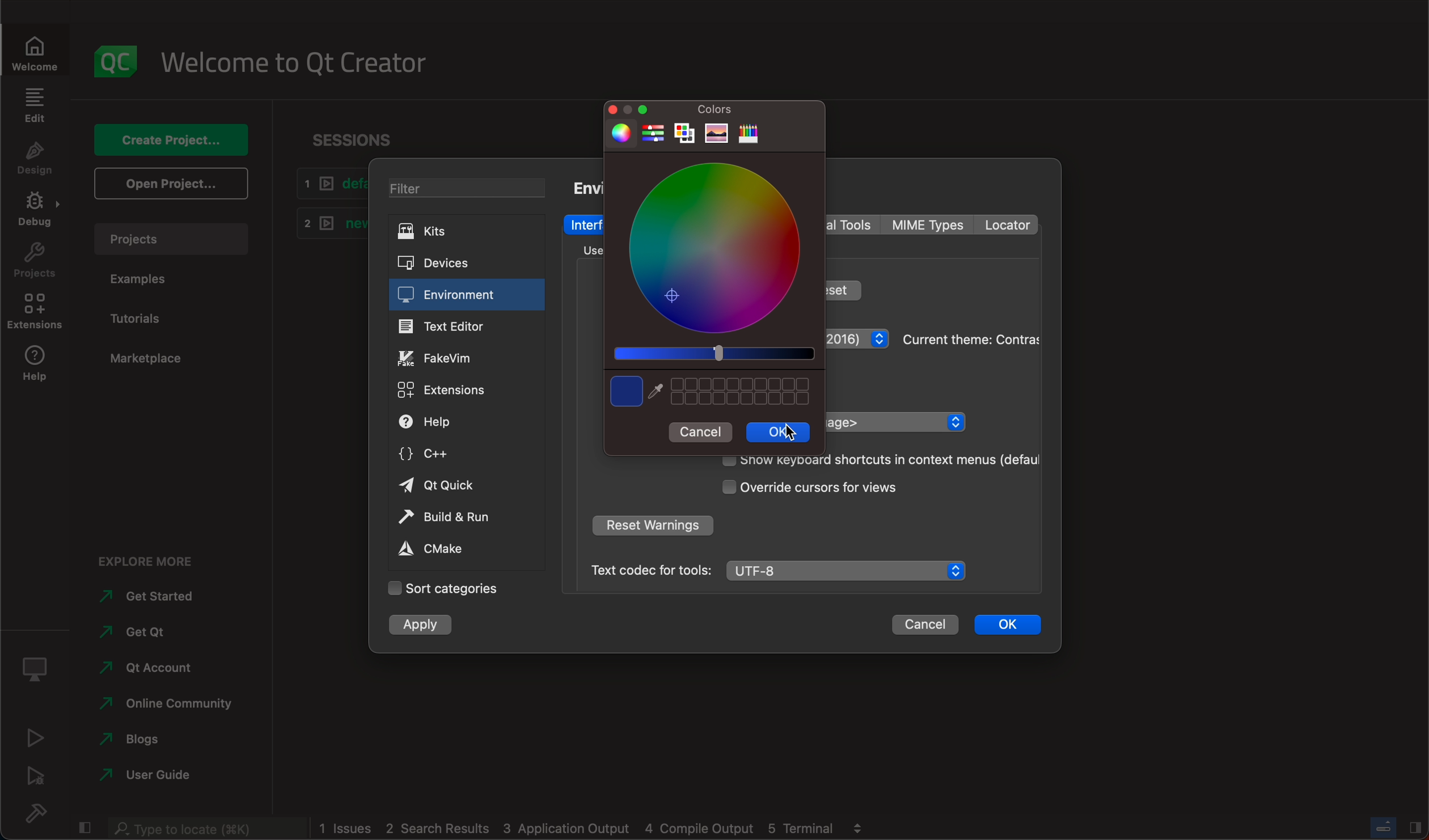 This screenshot has width=1429, height=840. What do you see at coordinates (716, 247) in the screenshot?
I see `color wheel` at bounding box center [716, 247].